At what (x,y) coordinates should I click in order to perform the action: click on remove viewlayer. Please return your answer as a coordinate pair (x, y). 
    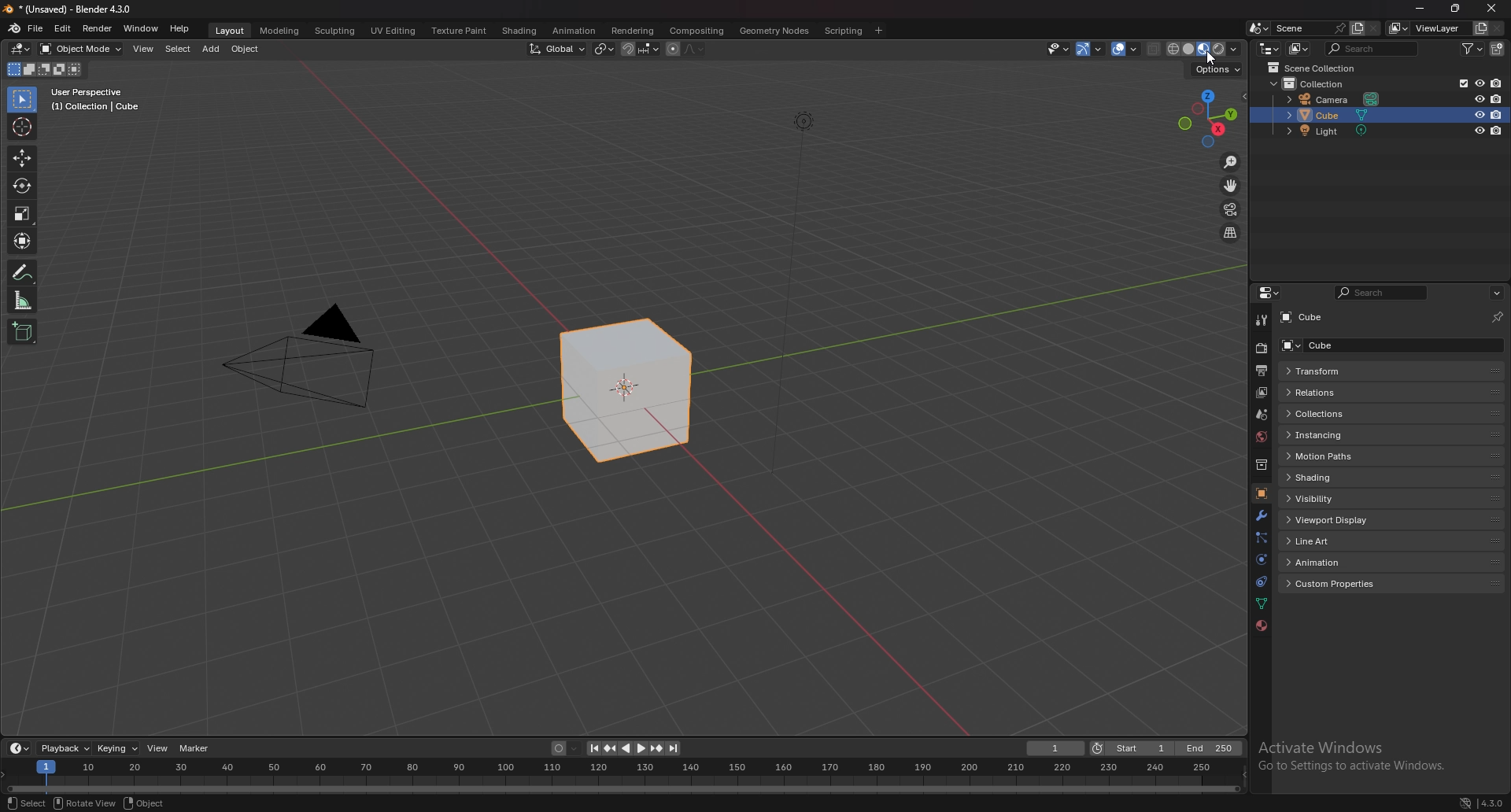
    Looking at the image, I should click on (1498, 28).